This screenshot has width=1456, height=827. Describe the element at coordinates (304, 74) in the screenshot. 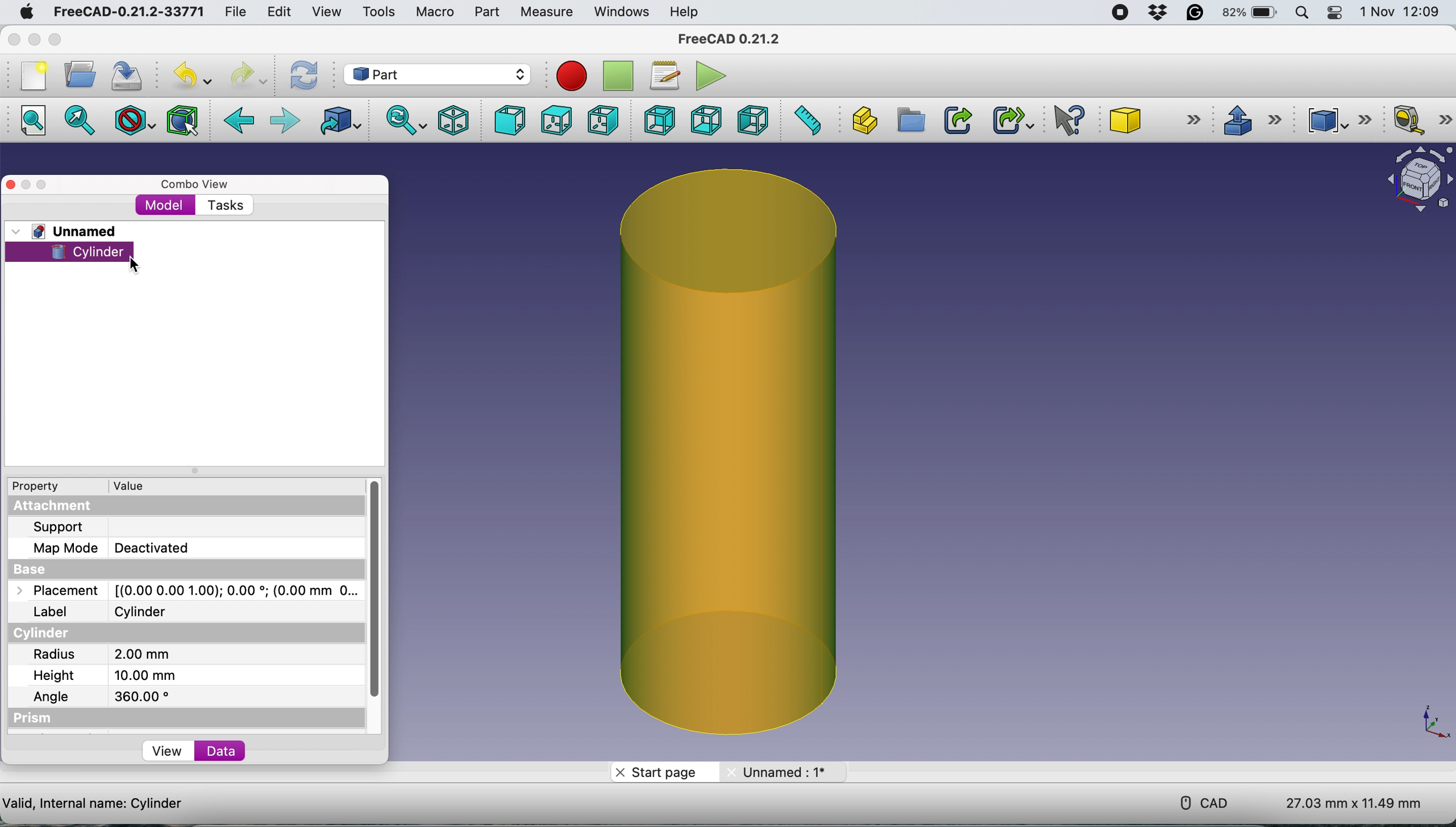

I see `refresh` at that location.